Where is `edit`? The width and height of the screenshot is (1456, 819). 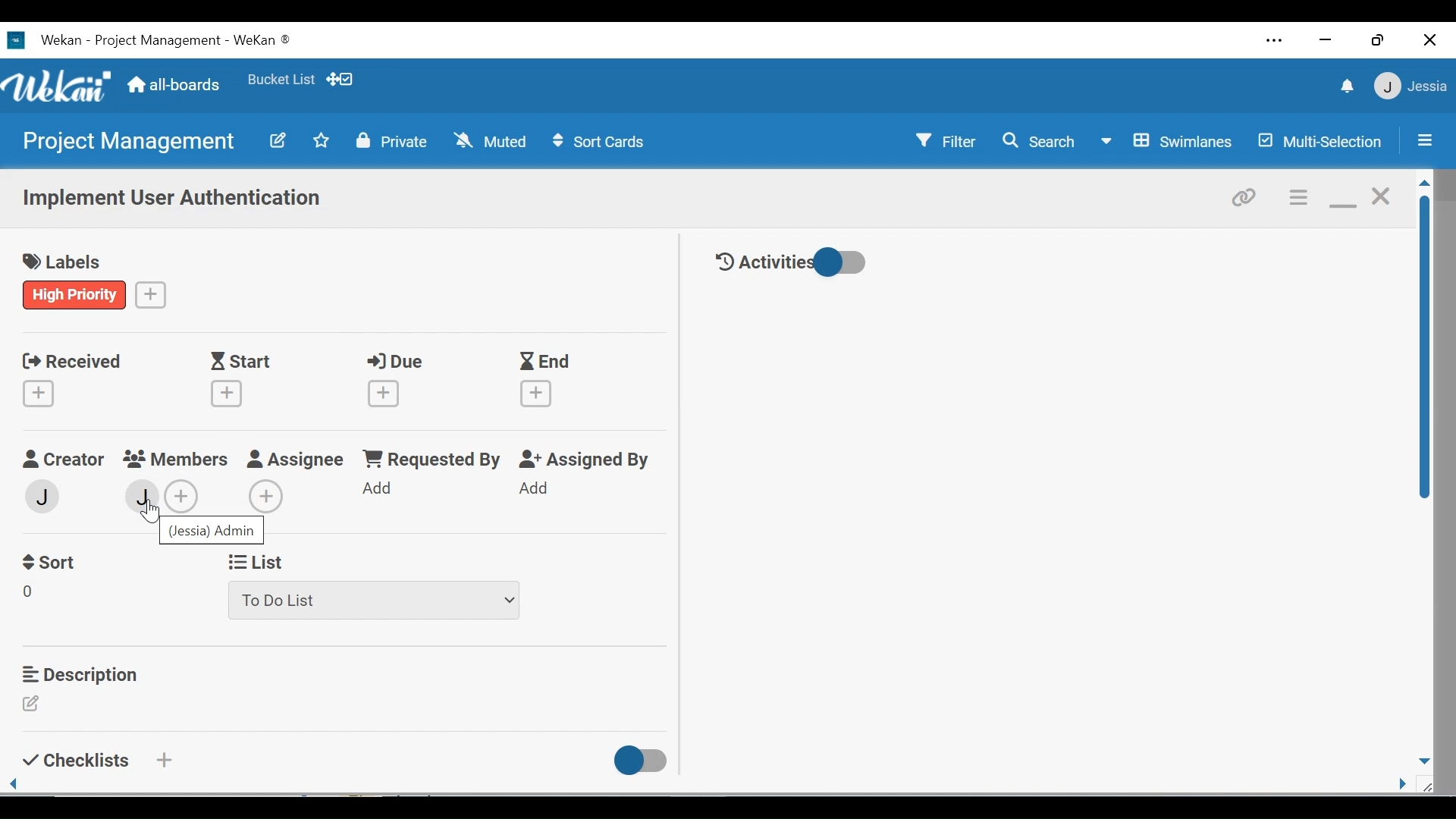
edit is located at coordinates (31, 704).